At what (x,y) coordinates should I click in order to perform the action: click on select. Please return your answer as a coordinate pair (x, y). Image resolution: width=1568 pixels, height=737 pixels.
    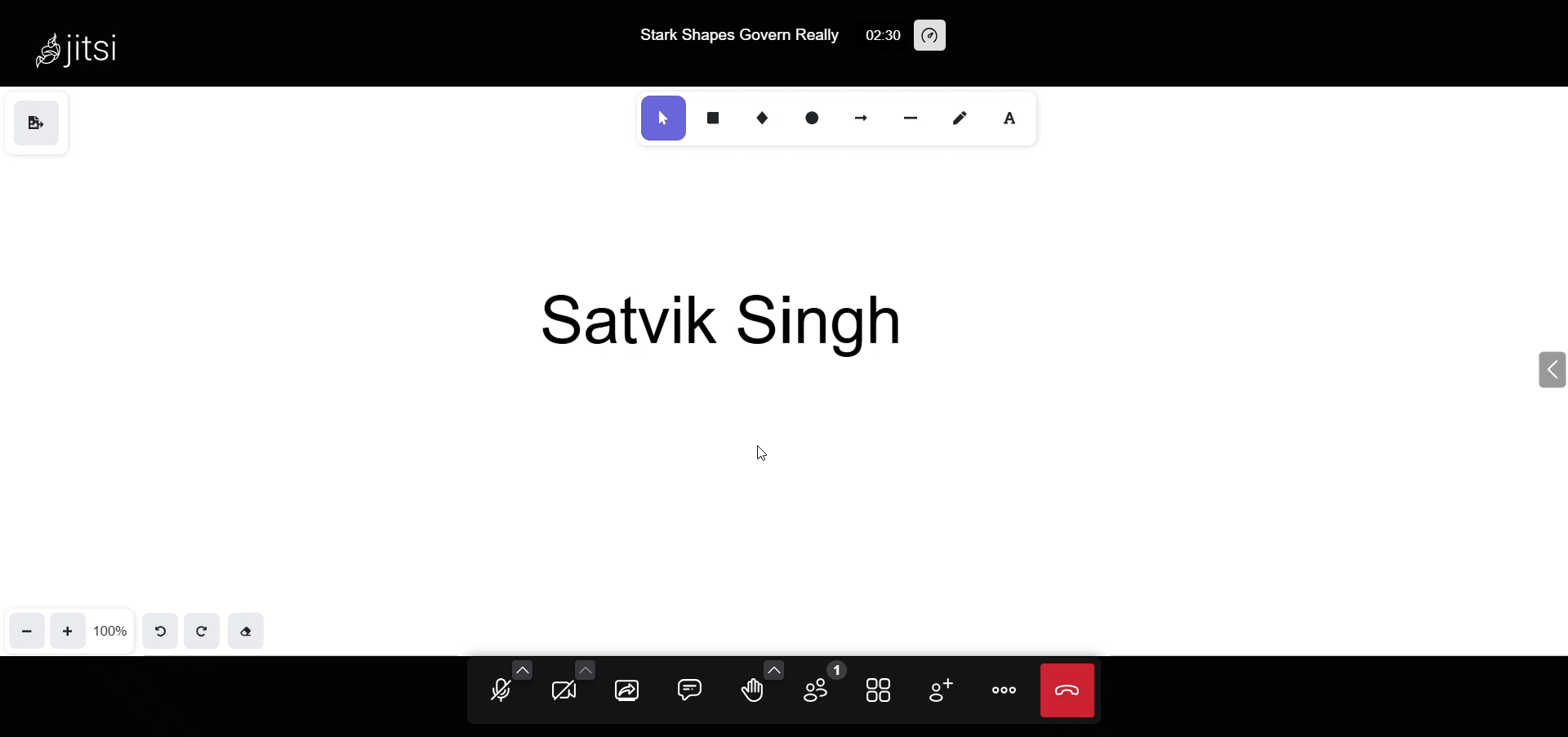
    Looking at the image, I should click on (663, 118).